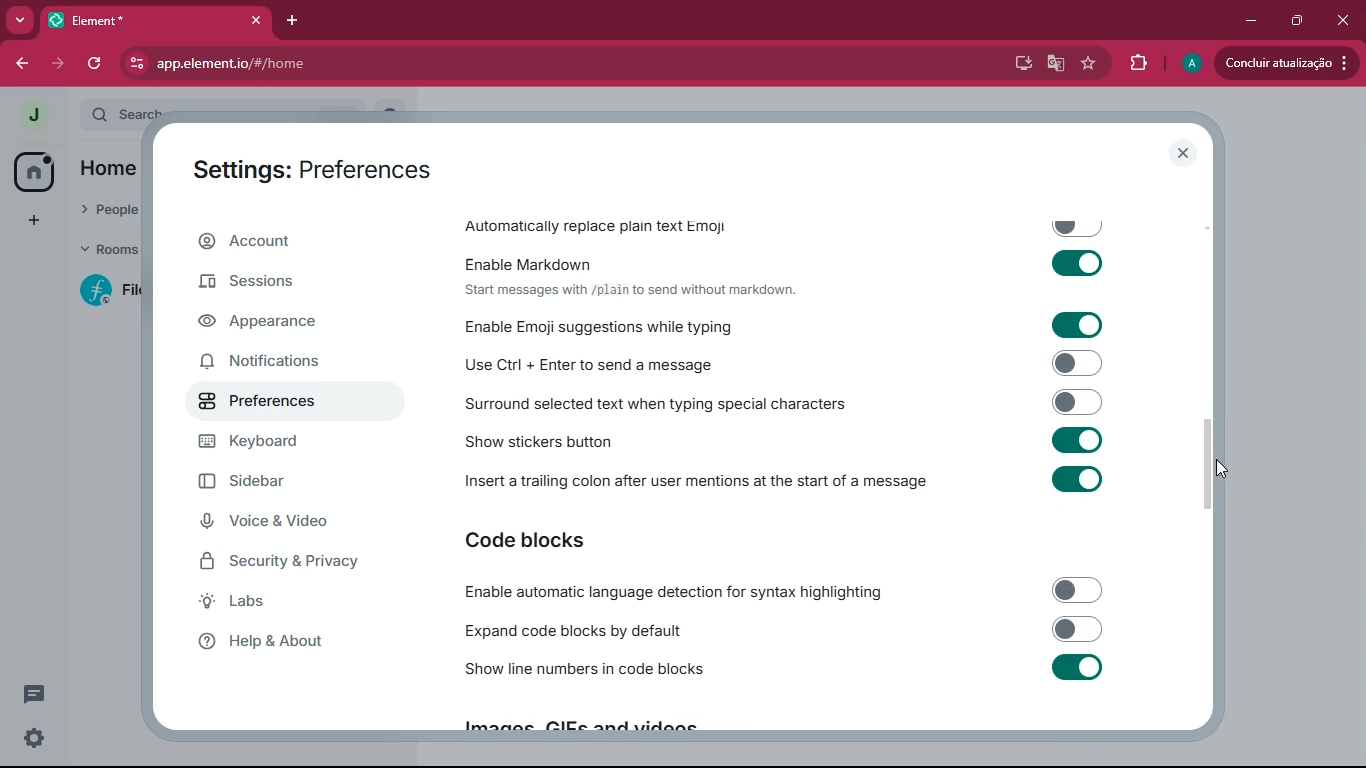 The image size is (1366, 768). What do you see at coordinates (114, 170) in the screenshot?
I see `home` at bounding box center [114, 170].